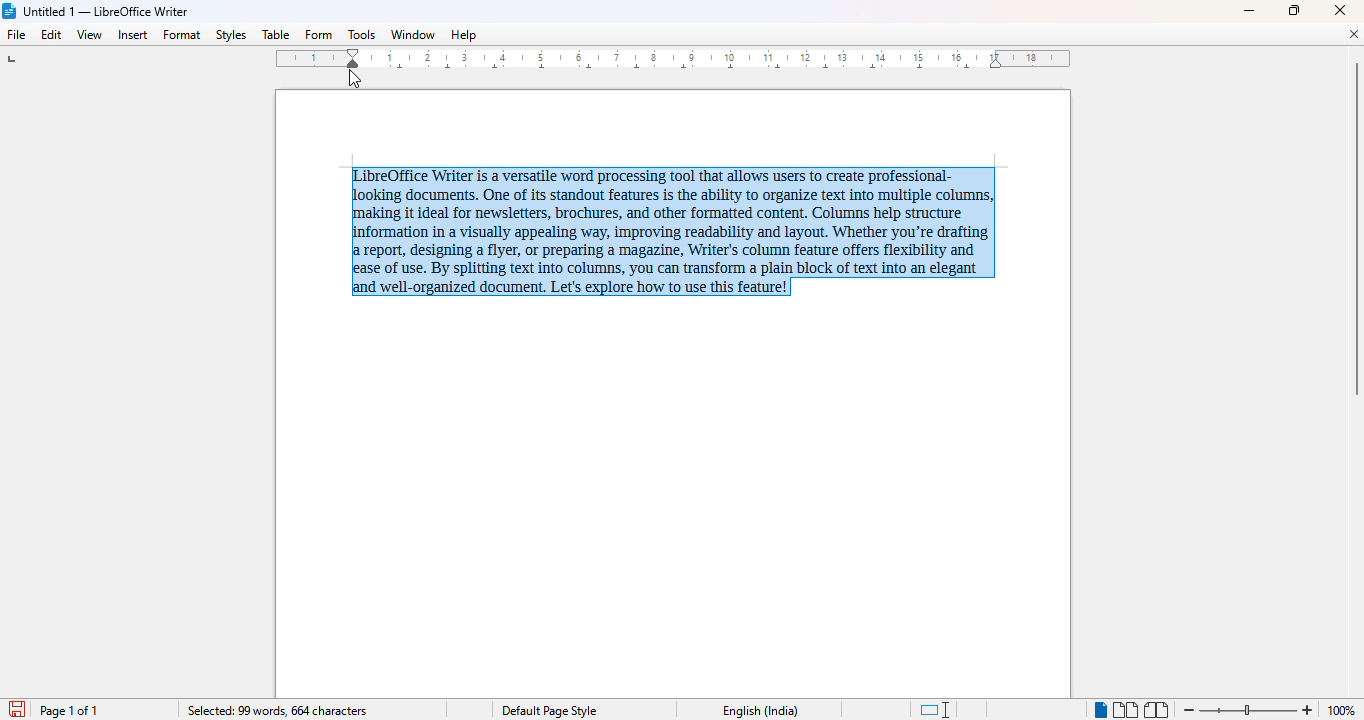  Describe the element at coordinates (318, 35) in the screenshot. I see `form` at that location.